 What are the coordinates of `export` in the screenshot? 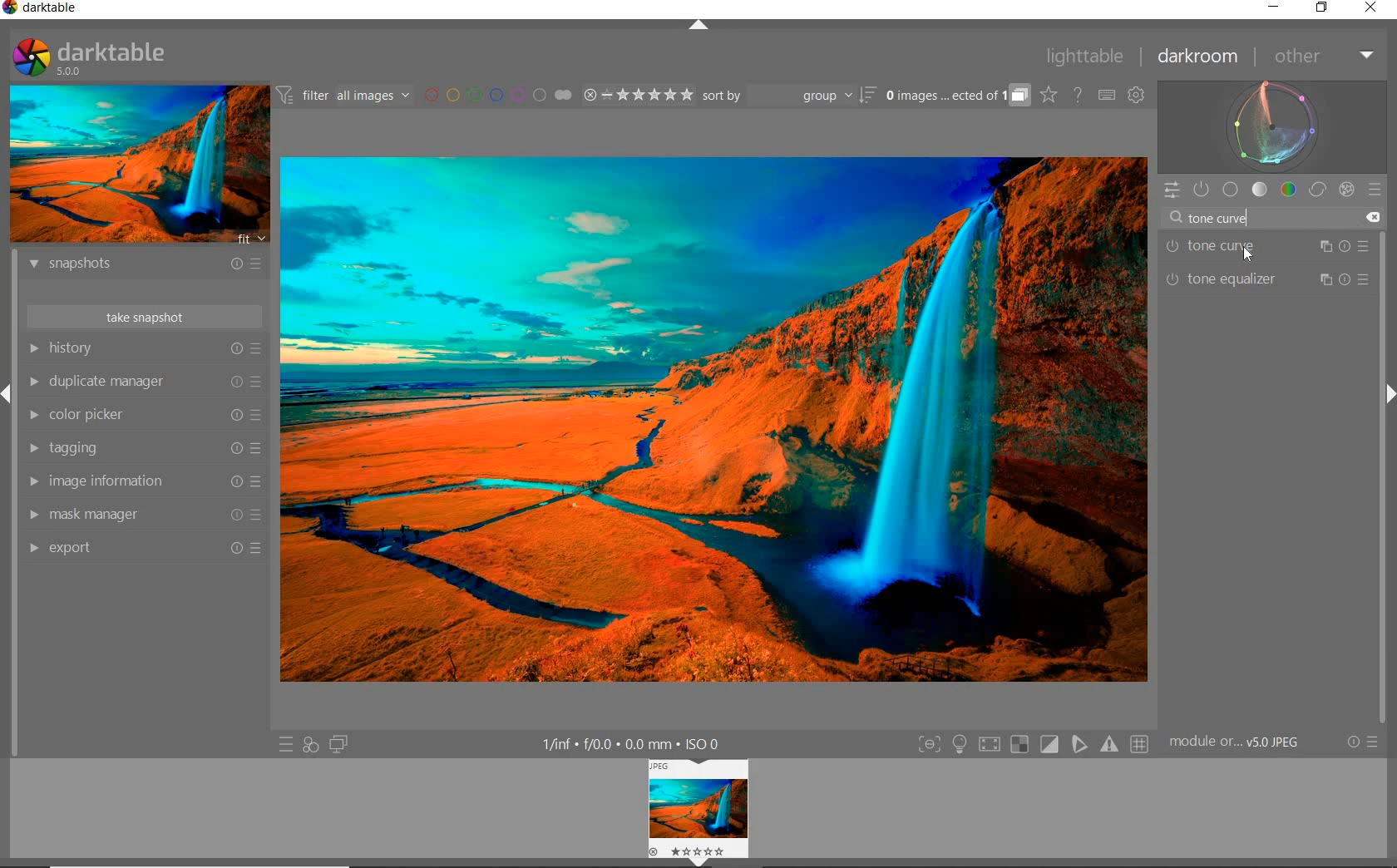 It's located at (146, 550).